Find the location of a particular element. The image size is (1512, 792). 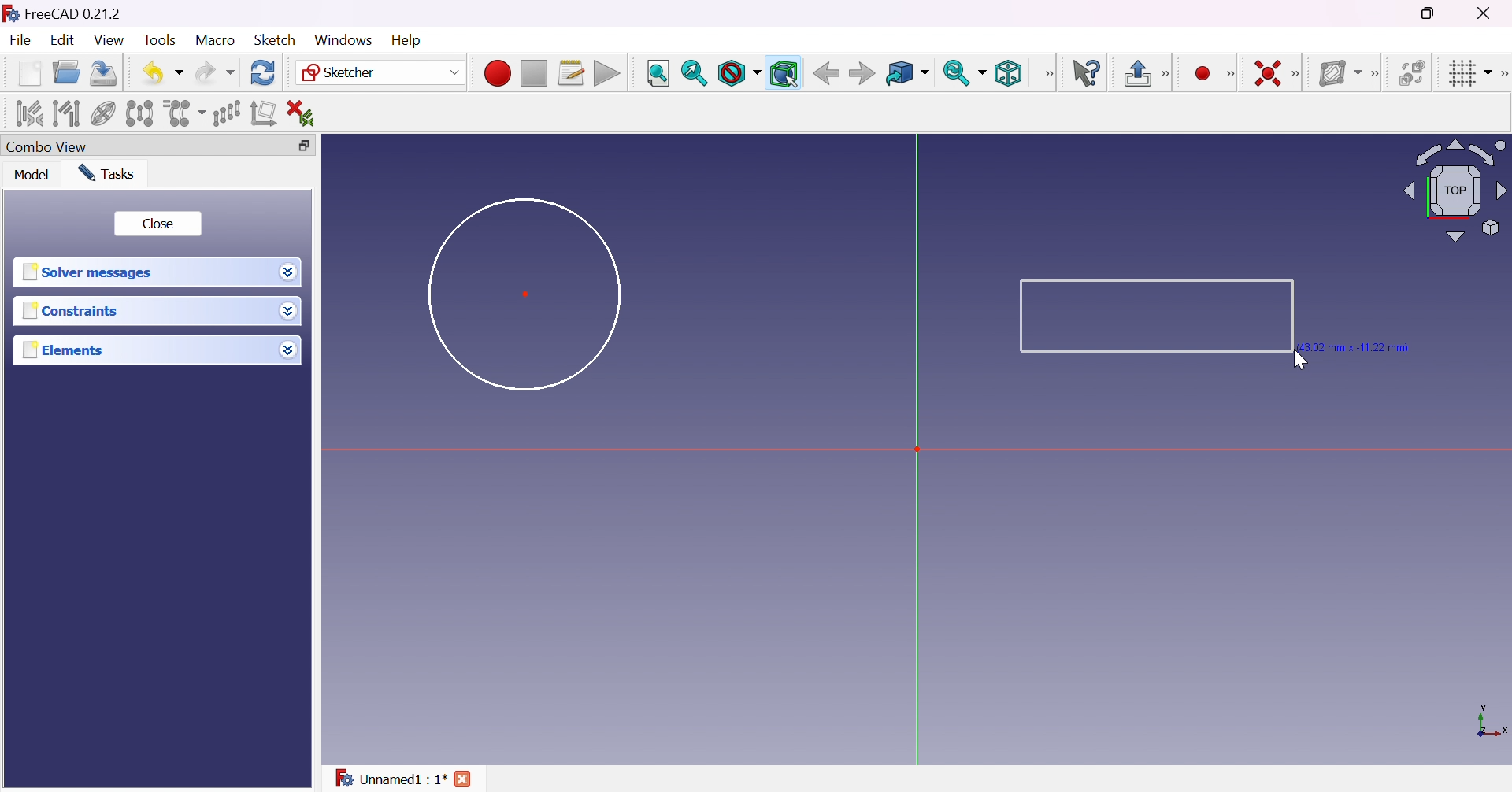

New is located at coordinates (30, 72).